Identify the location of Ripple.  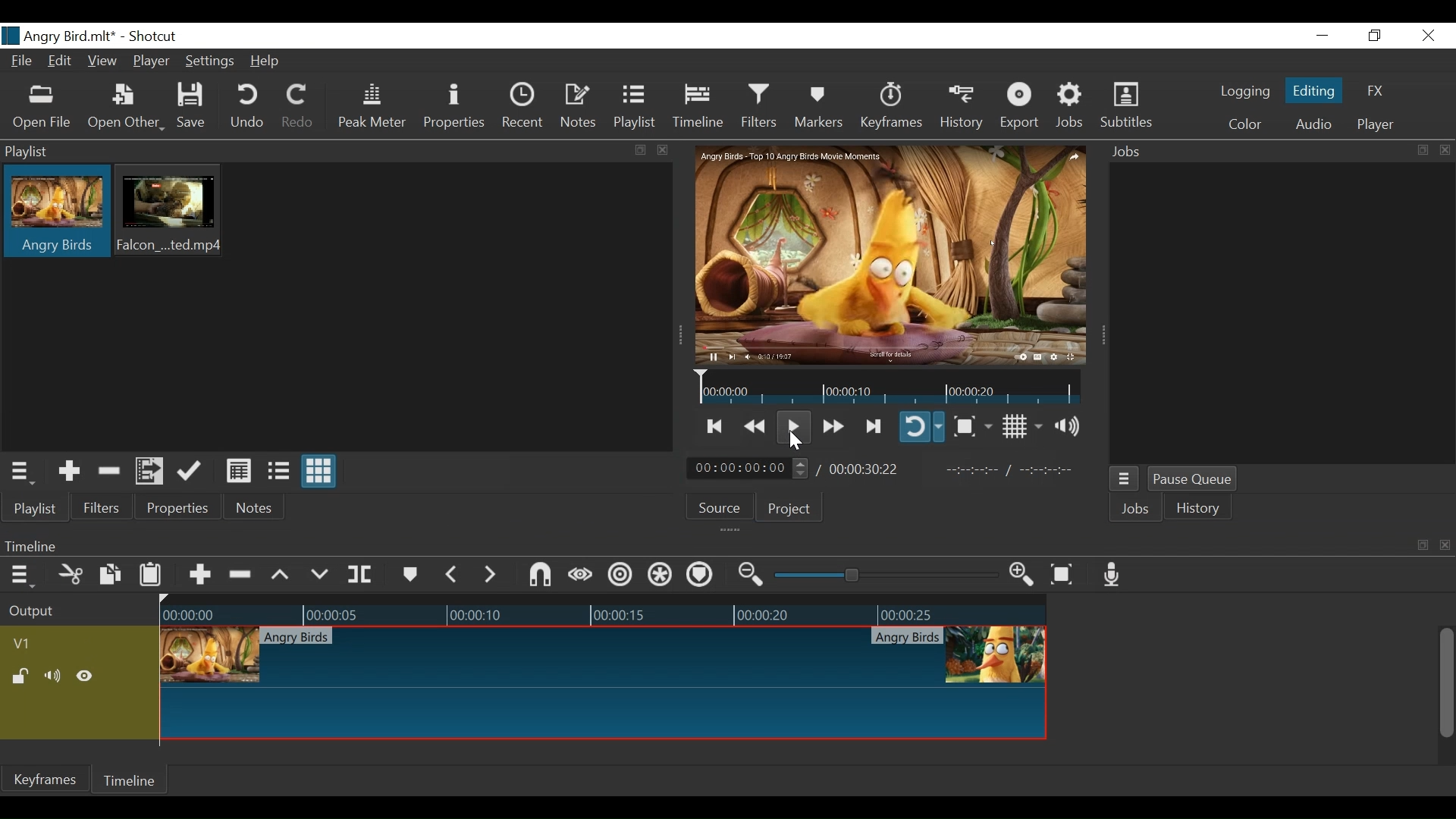
(620, 575).